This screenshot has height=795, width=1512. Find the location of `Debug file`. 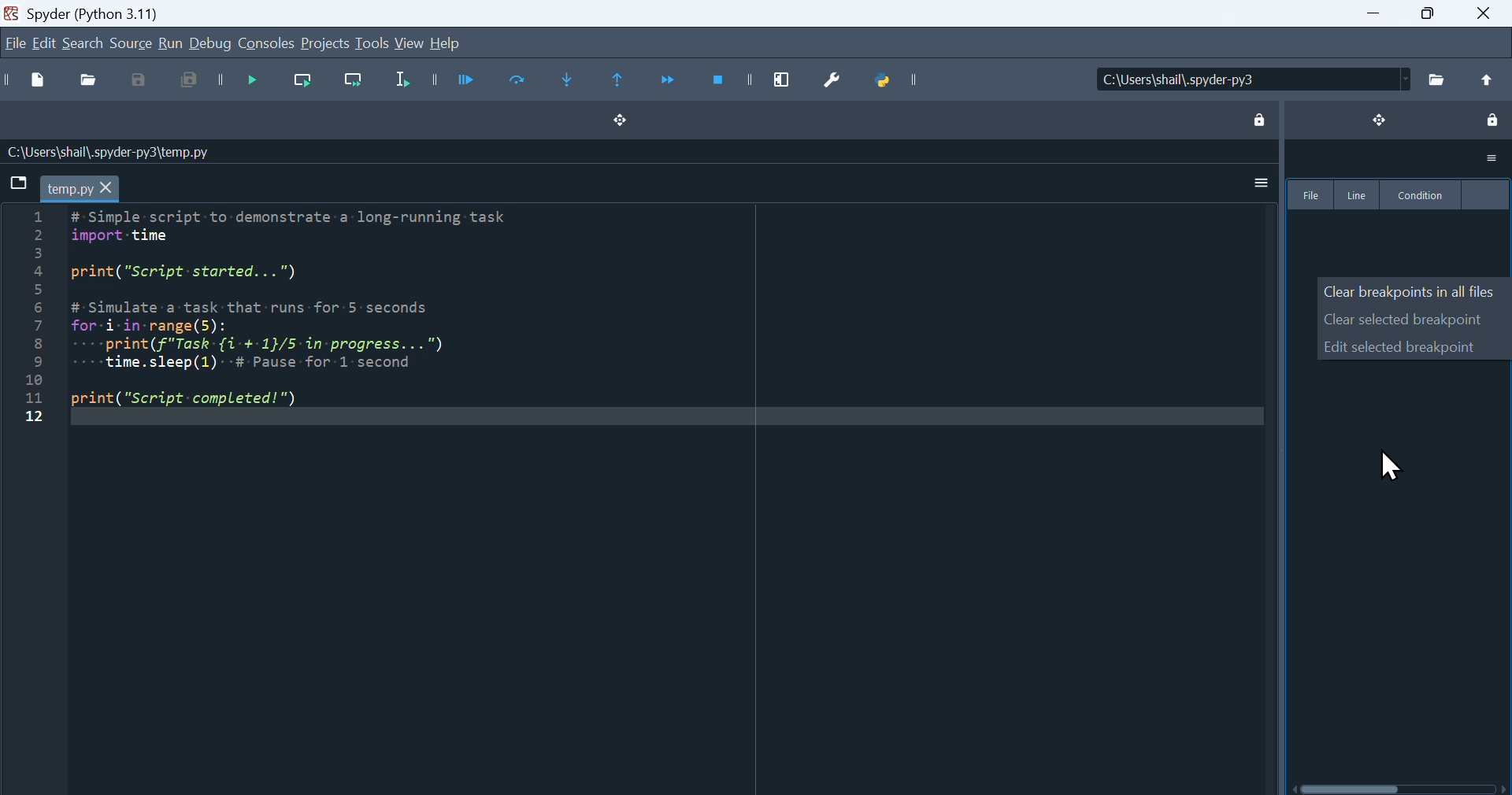

Debug file is located at coordinates (469, 82).